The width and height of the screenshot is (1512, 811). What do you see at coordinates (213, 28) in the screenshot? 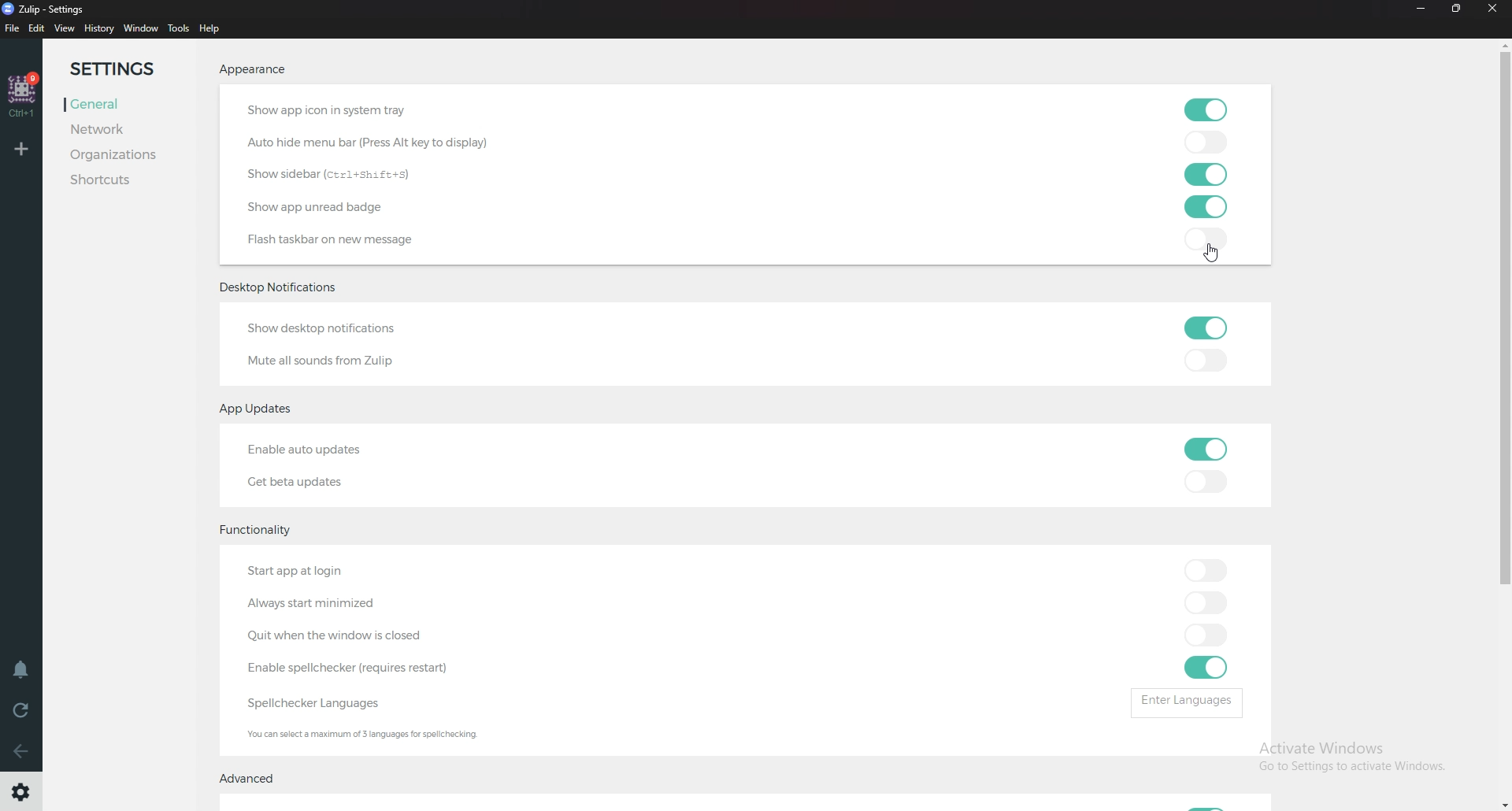
I see `Help` at bounding box center [213, 28].